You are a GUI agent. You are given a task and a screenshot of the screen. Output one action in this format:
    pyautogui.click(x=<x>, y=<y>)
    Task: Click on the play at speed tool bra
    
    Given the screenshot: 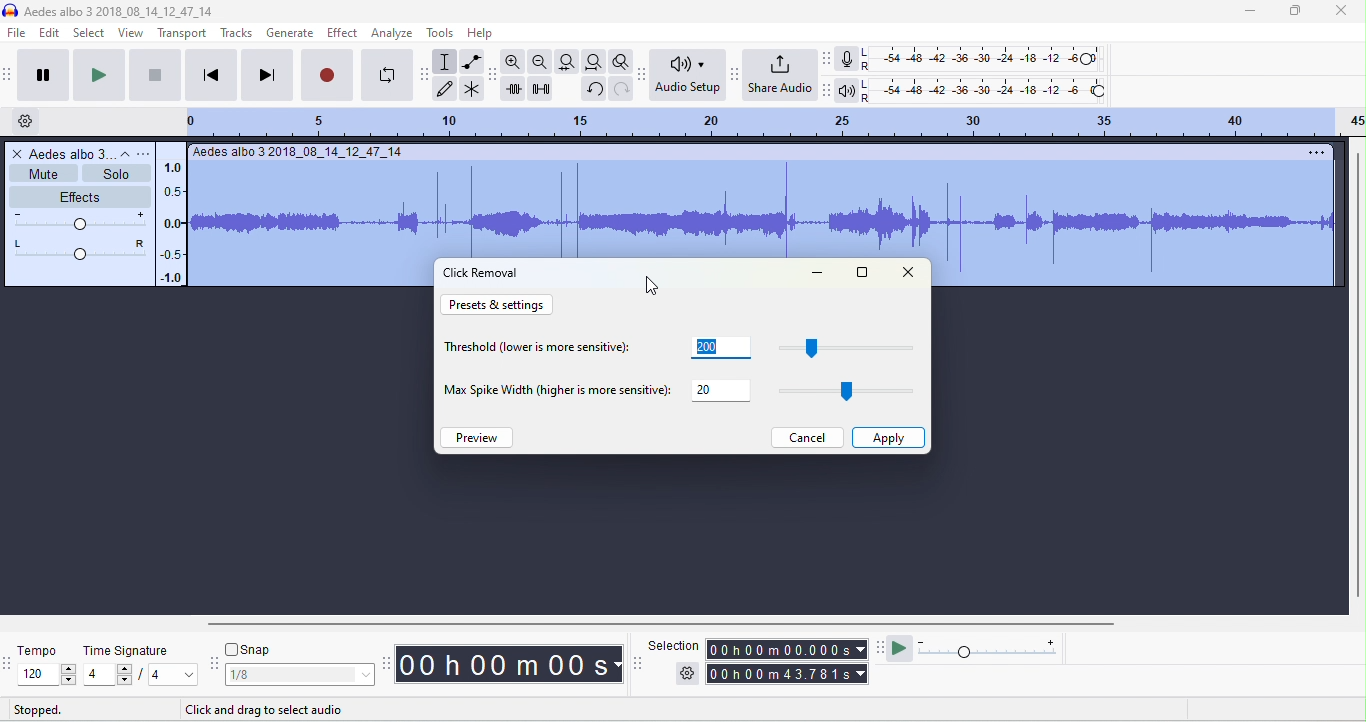 What is the action you would take?
    pyautogui.click(x=879, y=651)
    